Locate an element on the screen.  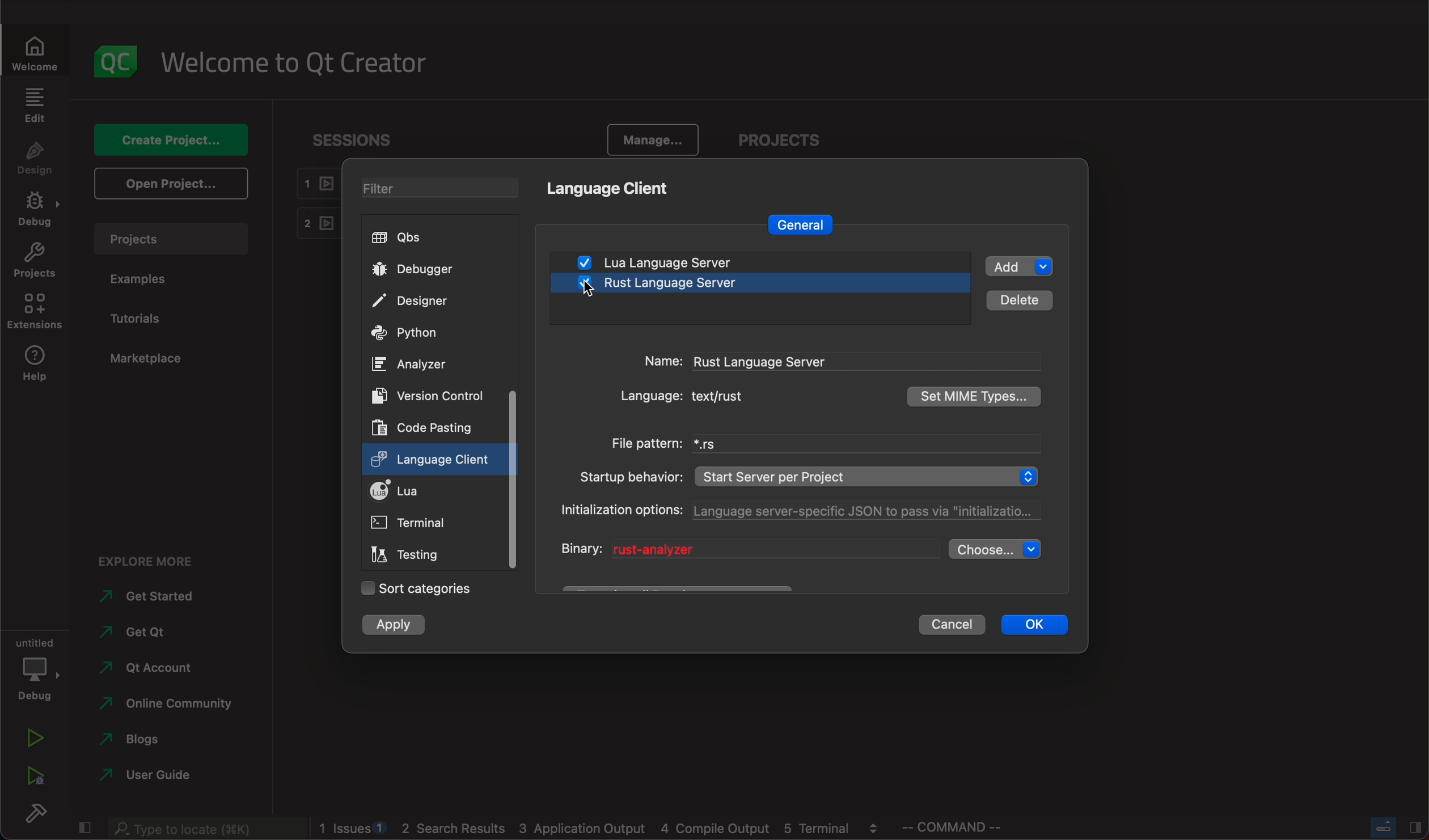
examples is located at coordinates (149, 279).